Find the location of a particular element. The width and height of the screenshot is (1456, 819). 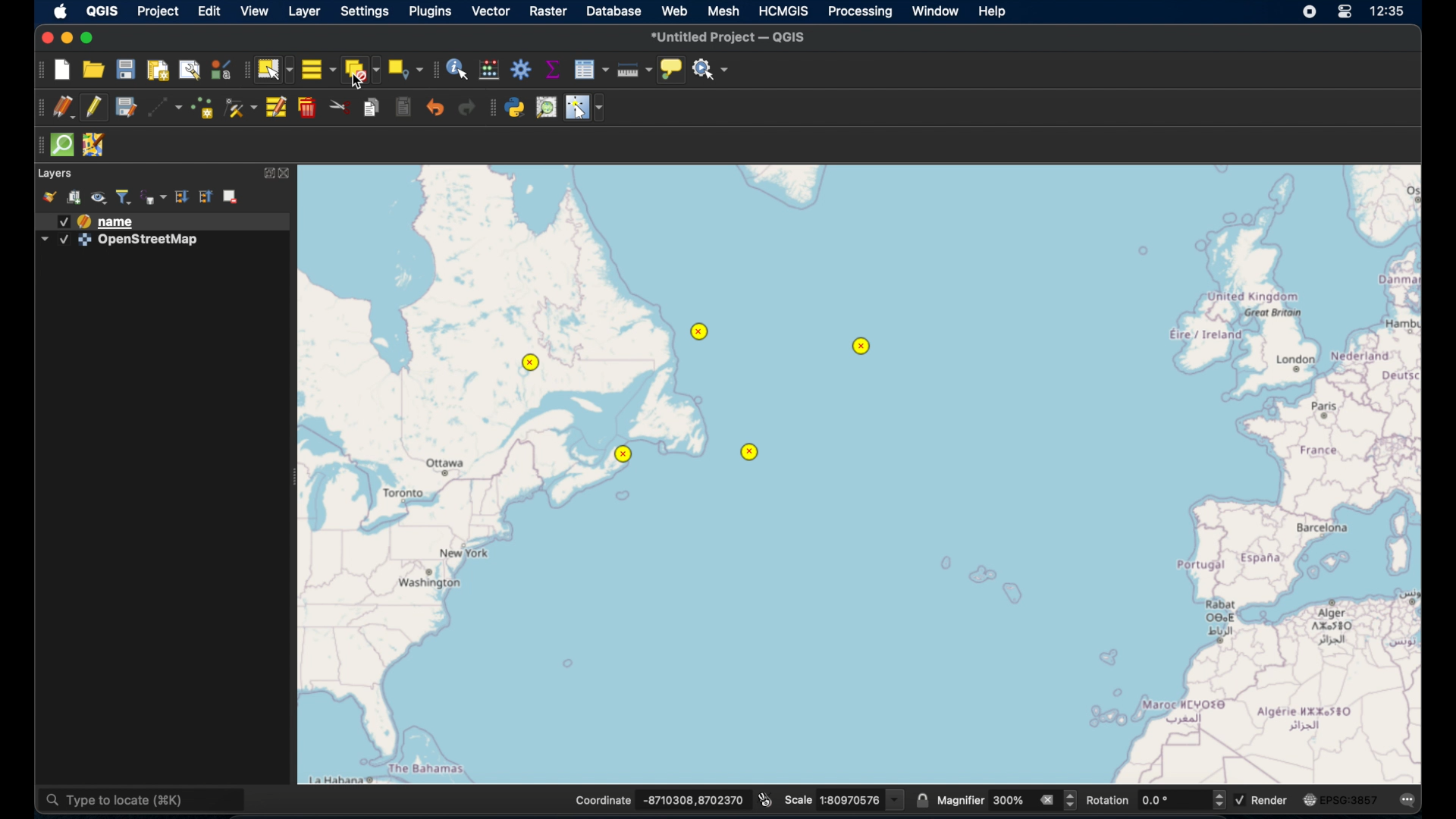

mesh is located at coordinates (723, 12).